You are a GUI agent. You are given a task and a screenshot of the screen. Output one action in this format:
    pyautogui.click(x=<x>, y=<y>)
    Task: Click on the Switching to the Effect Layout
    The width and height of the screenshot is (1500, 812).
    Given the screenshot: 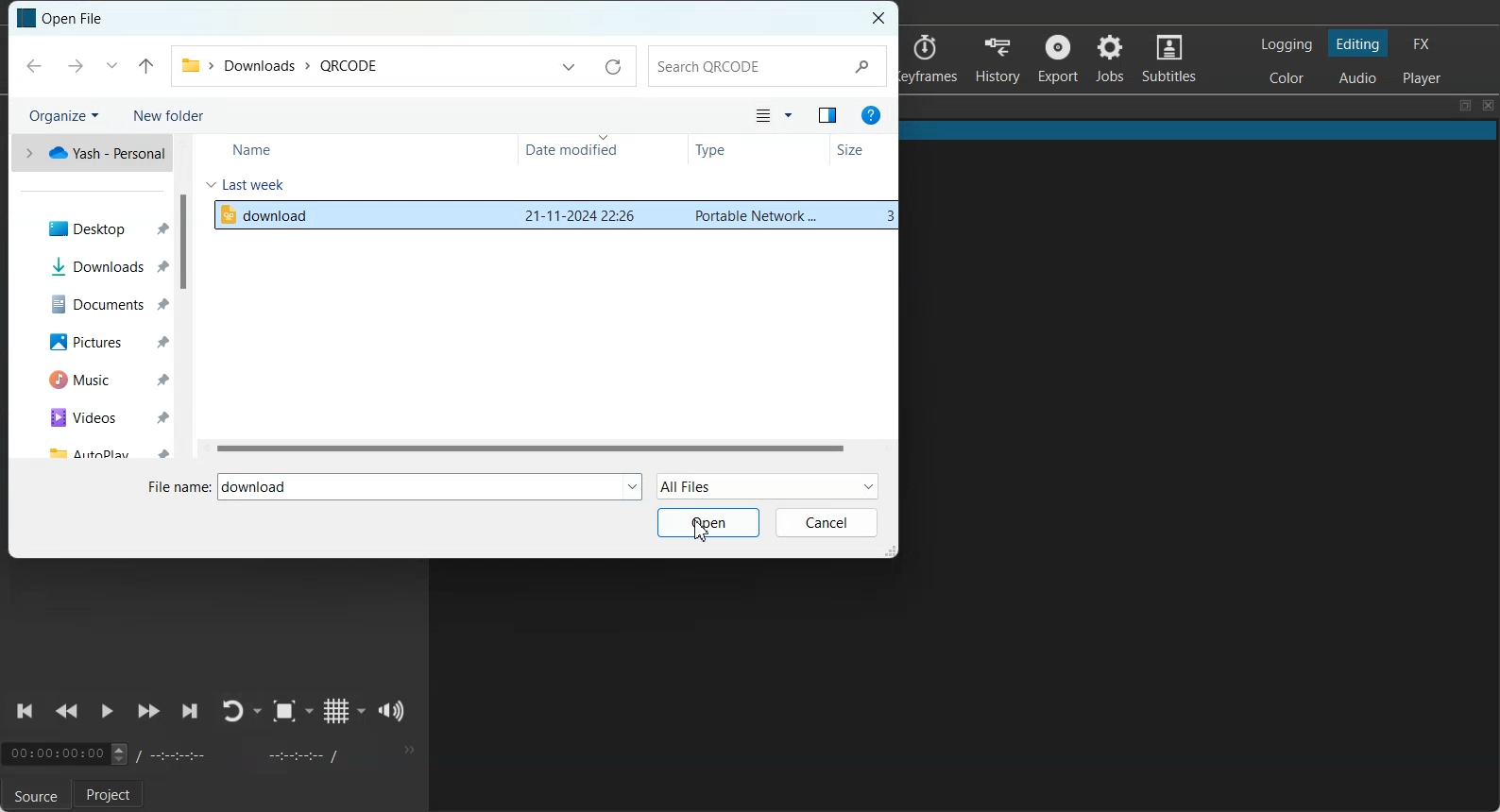 What is the action you would take?
    pyautogui.click(x=1421, y=42)
    